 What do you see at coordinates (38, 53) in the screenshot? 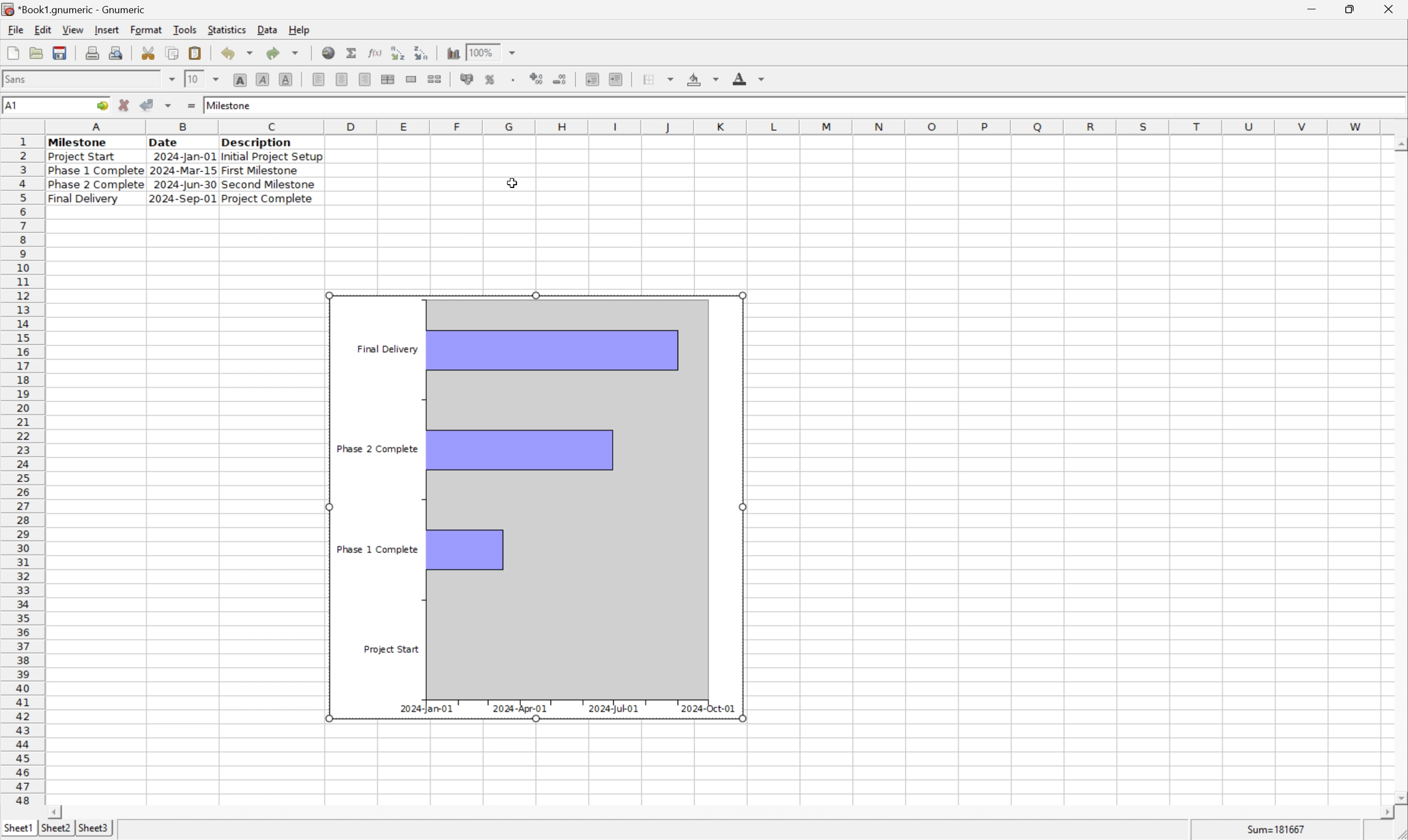
I see `open a file` at bounding box center [38, 53].